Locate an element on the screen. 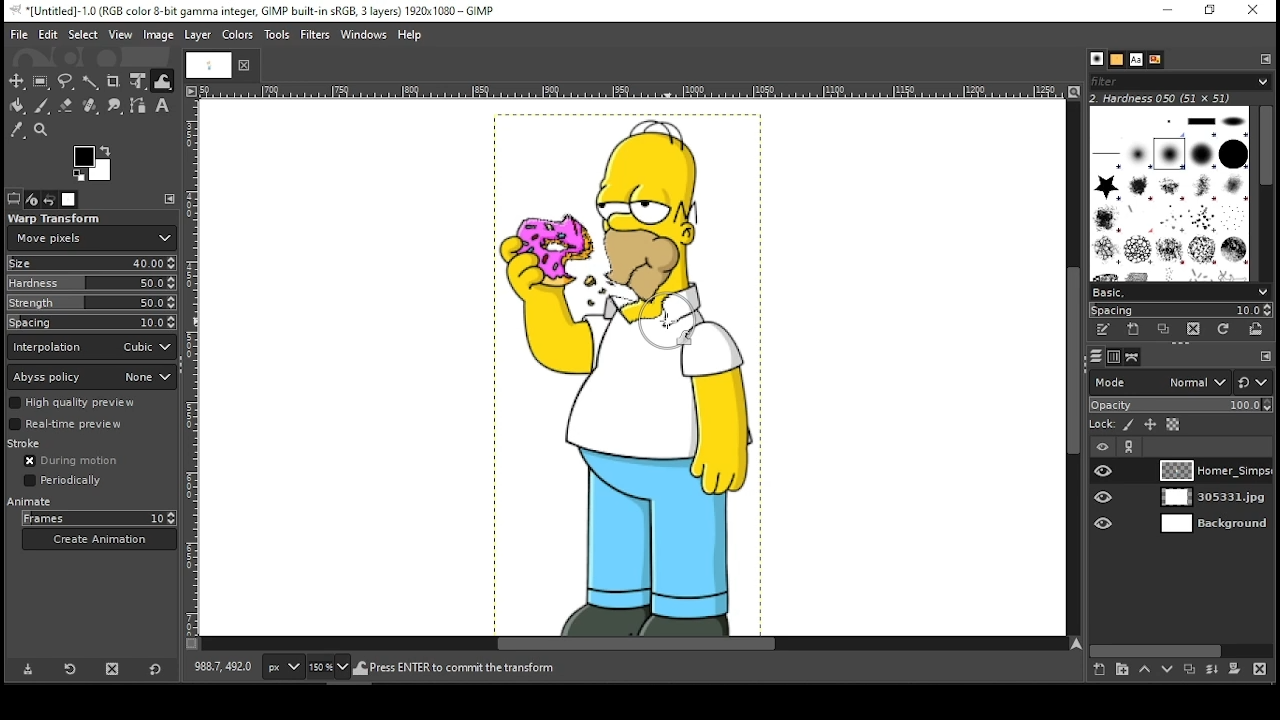 This screenshot has height=720, width=1280. images is located at coordinates (68, 200).